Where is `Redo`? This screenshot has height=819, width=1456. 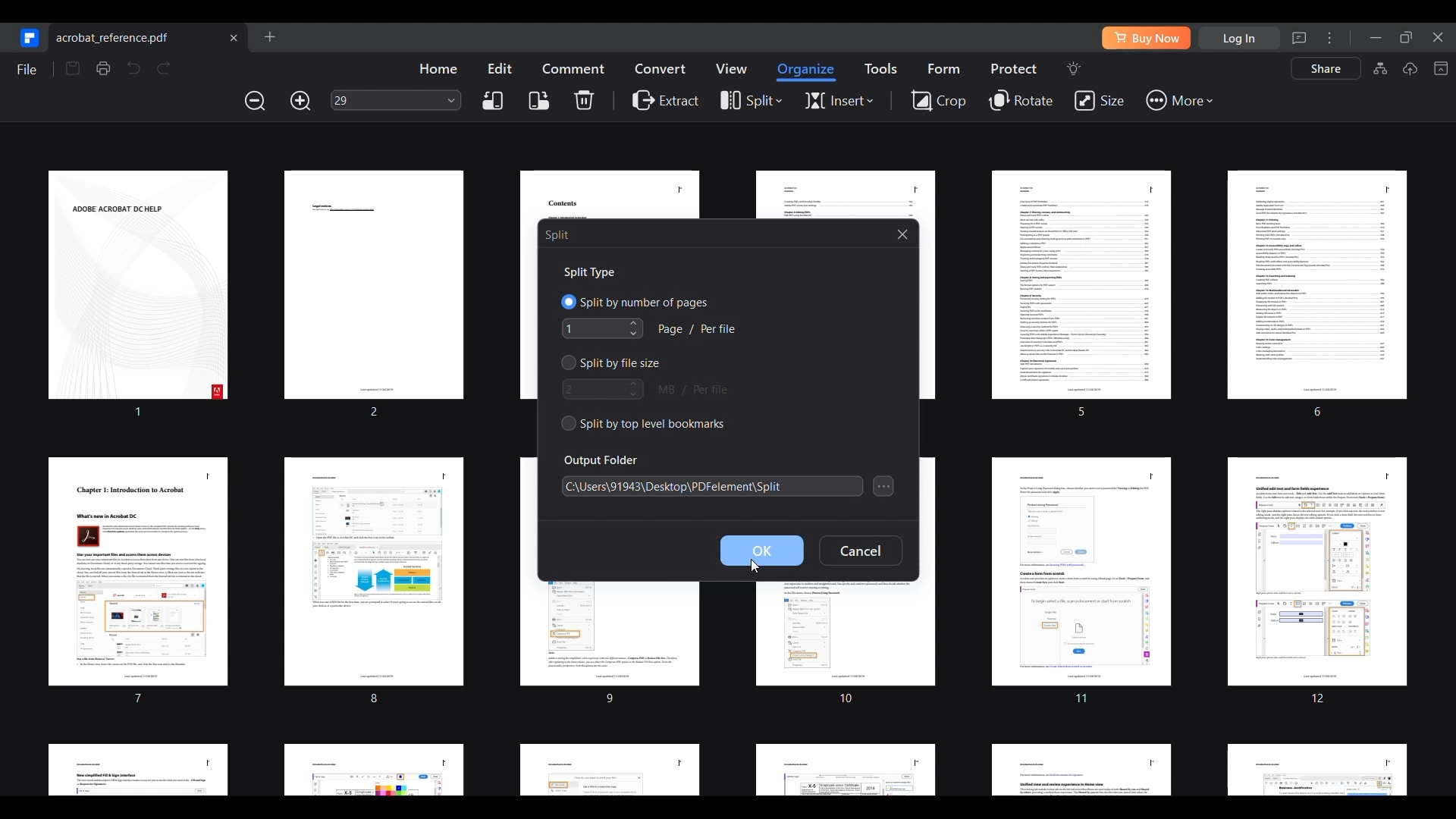
Redo is located at coordinates (164, 68).